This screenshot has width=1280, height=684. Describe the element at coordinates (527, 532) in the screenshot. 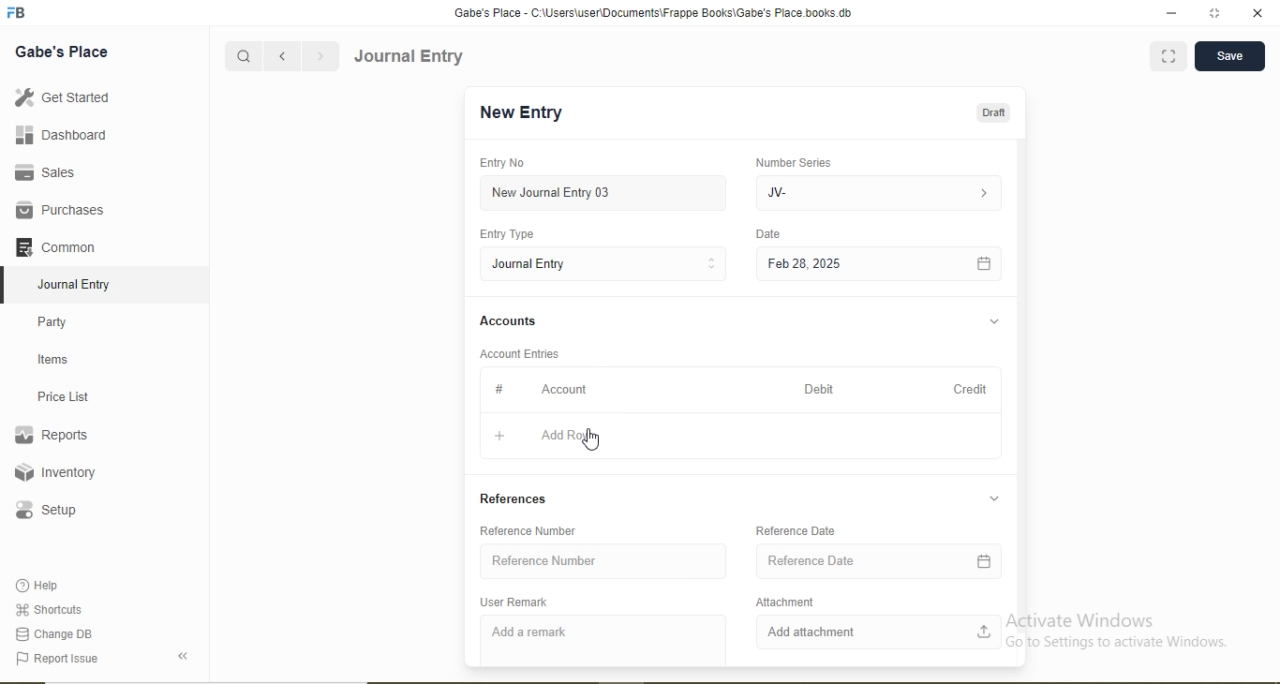

I see `Reference Number` at that location.